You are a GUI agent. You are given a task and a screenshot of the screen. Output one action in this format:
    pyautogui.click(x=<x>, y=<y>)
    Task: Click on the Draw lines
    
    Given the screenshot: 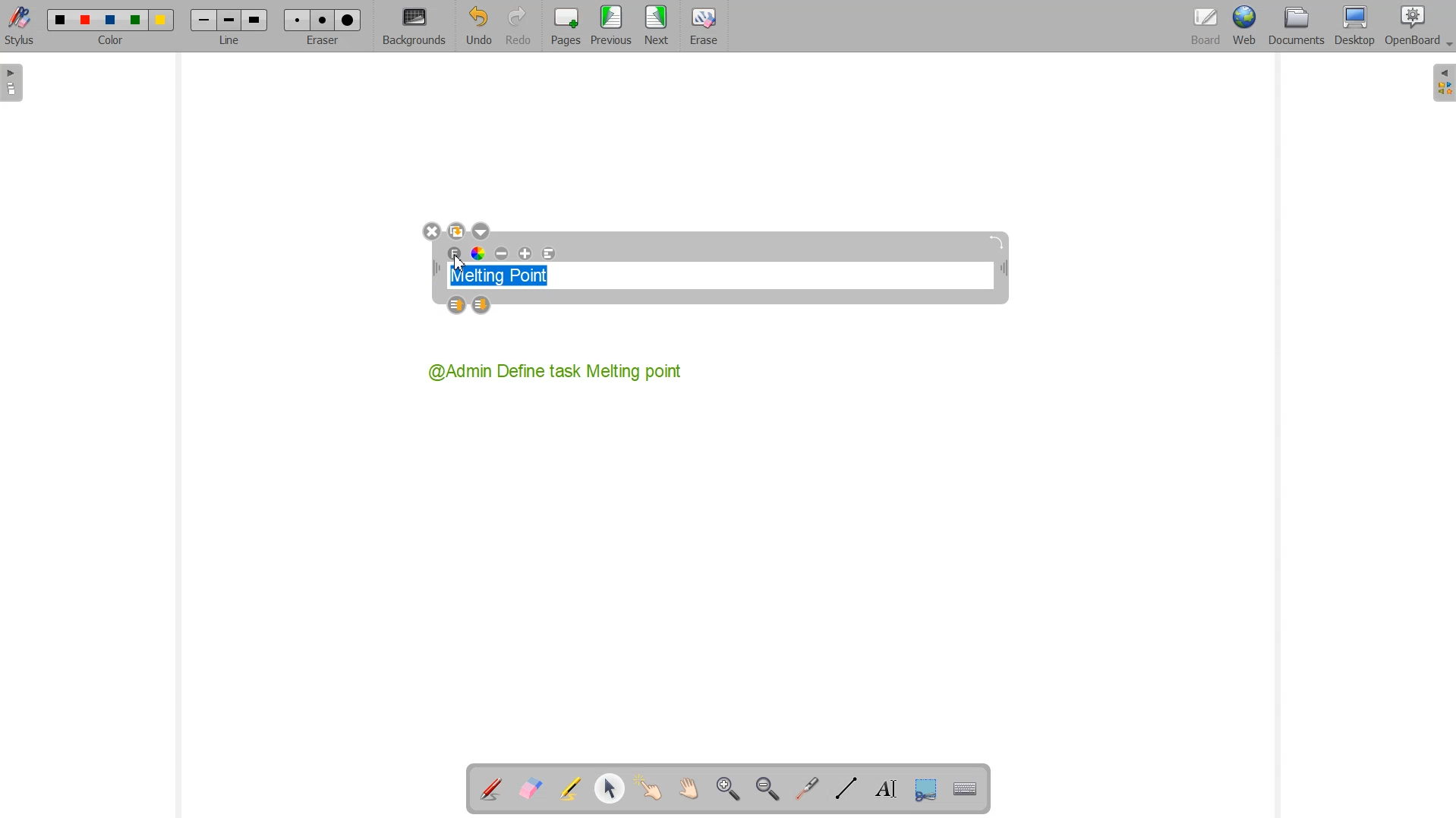 What is the action you would take?
    pyautogui.click(x=846, y=788)
    